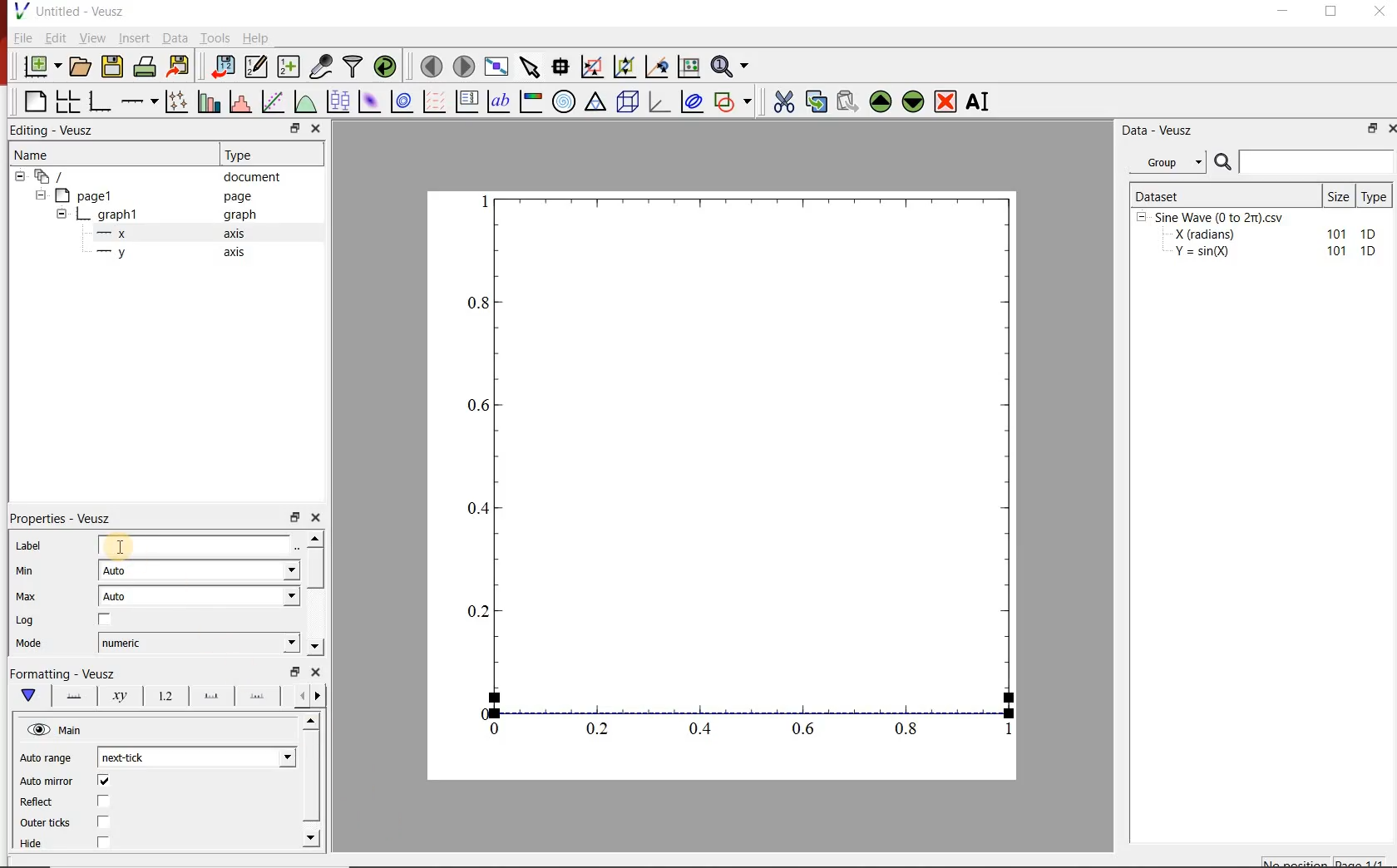 This screenshot has height=868, width=1397. Describe the element at coordinates (199, 644) in the screenshot. I see `Numeric` at that location.